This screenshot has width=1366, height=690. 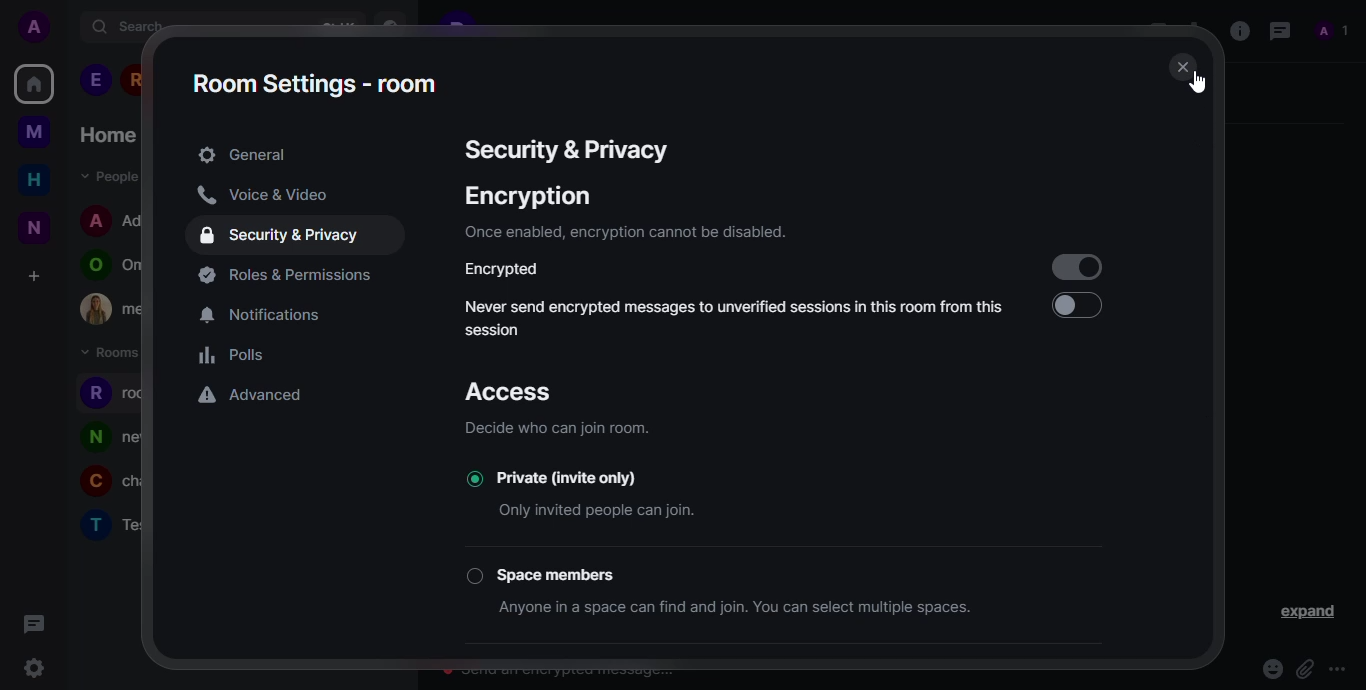 What do you see at coordinates (254, 395) in the screenshot?
I see `Advanced` at bounding box center [254, 395].